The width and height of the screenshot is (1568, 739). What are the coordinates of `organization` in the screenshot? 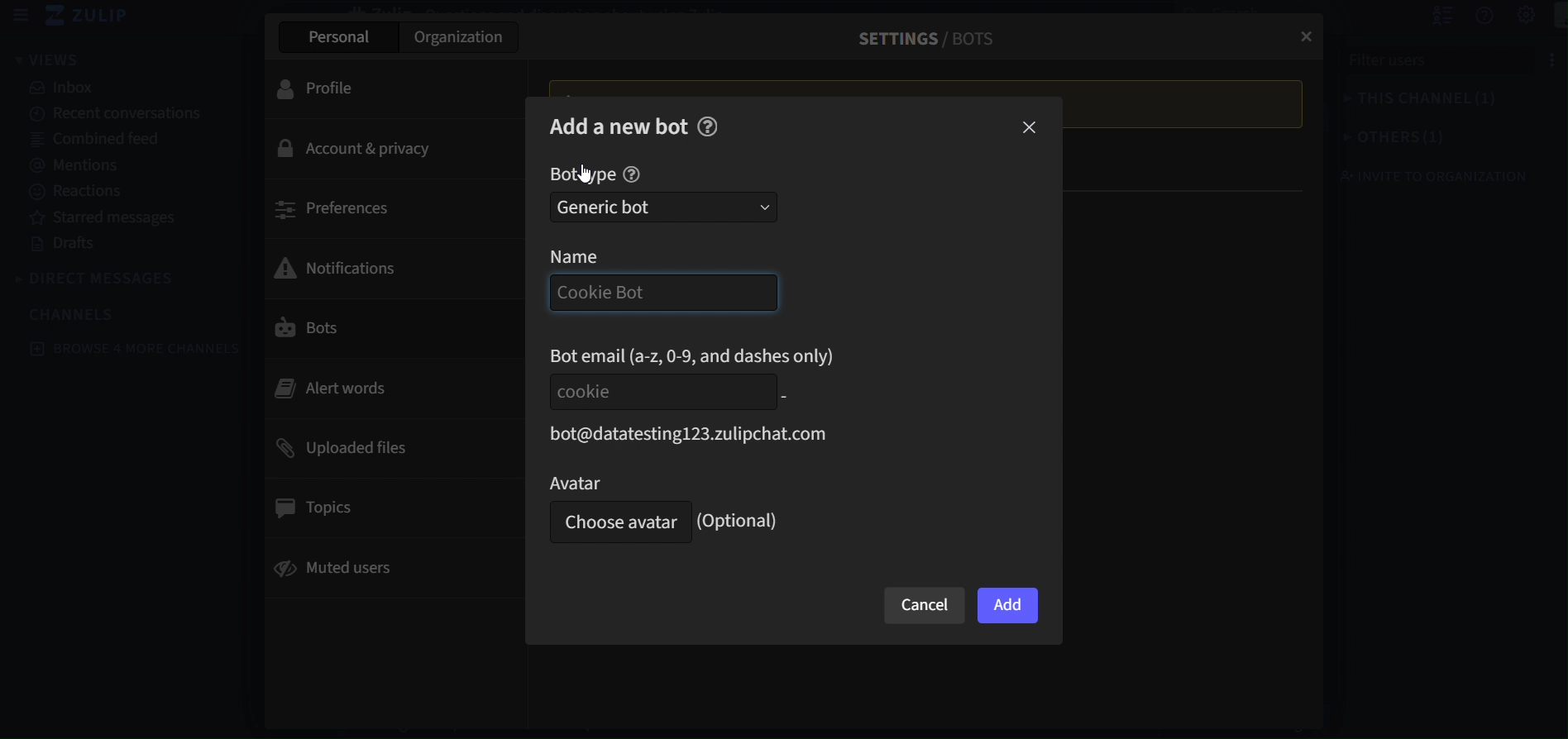 It's located at (461, 41).